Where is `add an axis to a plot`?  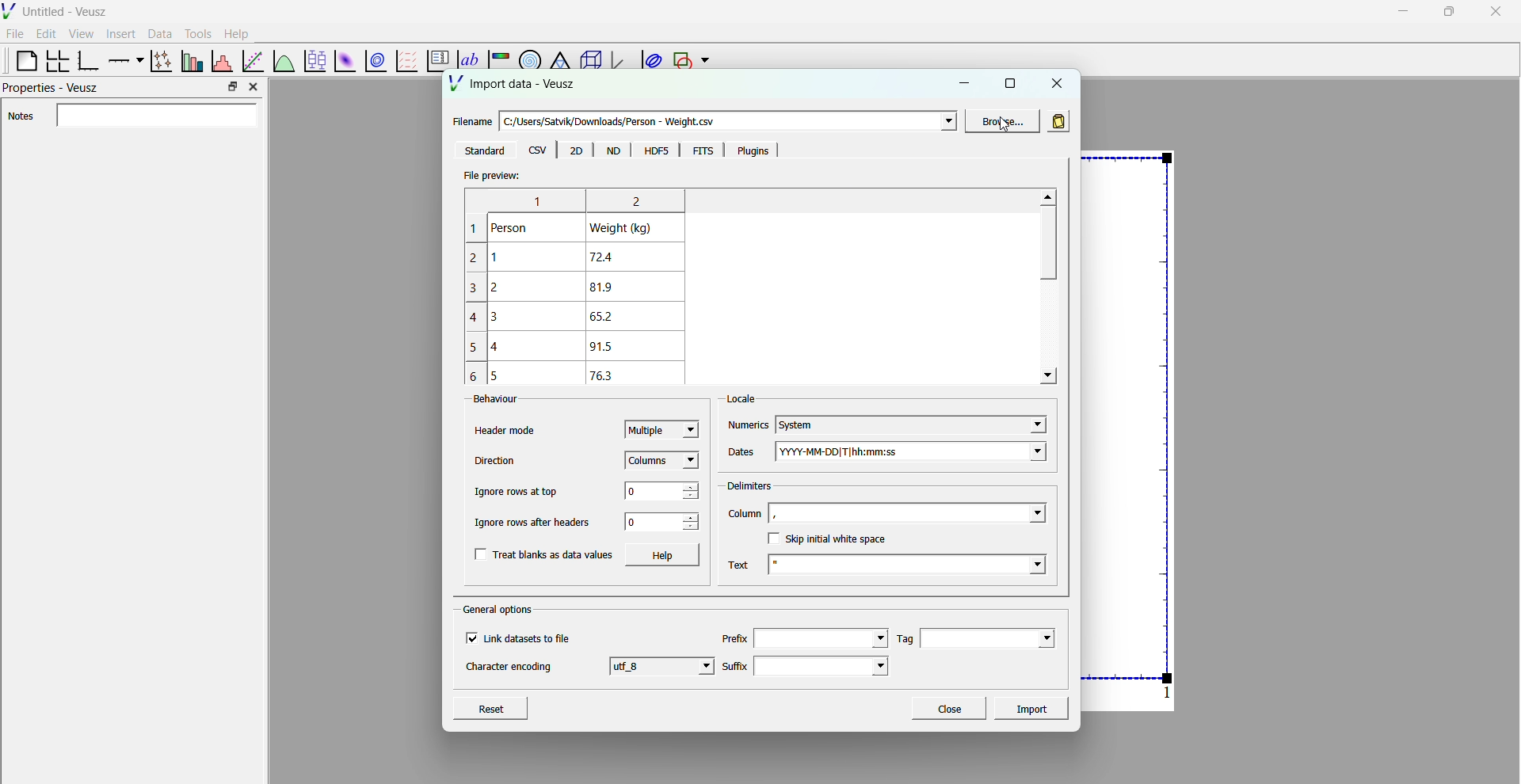 add an axis to a plot is located at coordinates (124, 59).